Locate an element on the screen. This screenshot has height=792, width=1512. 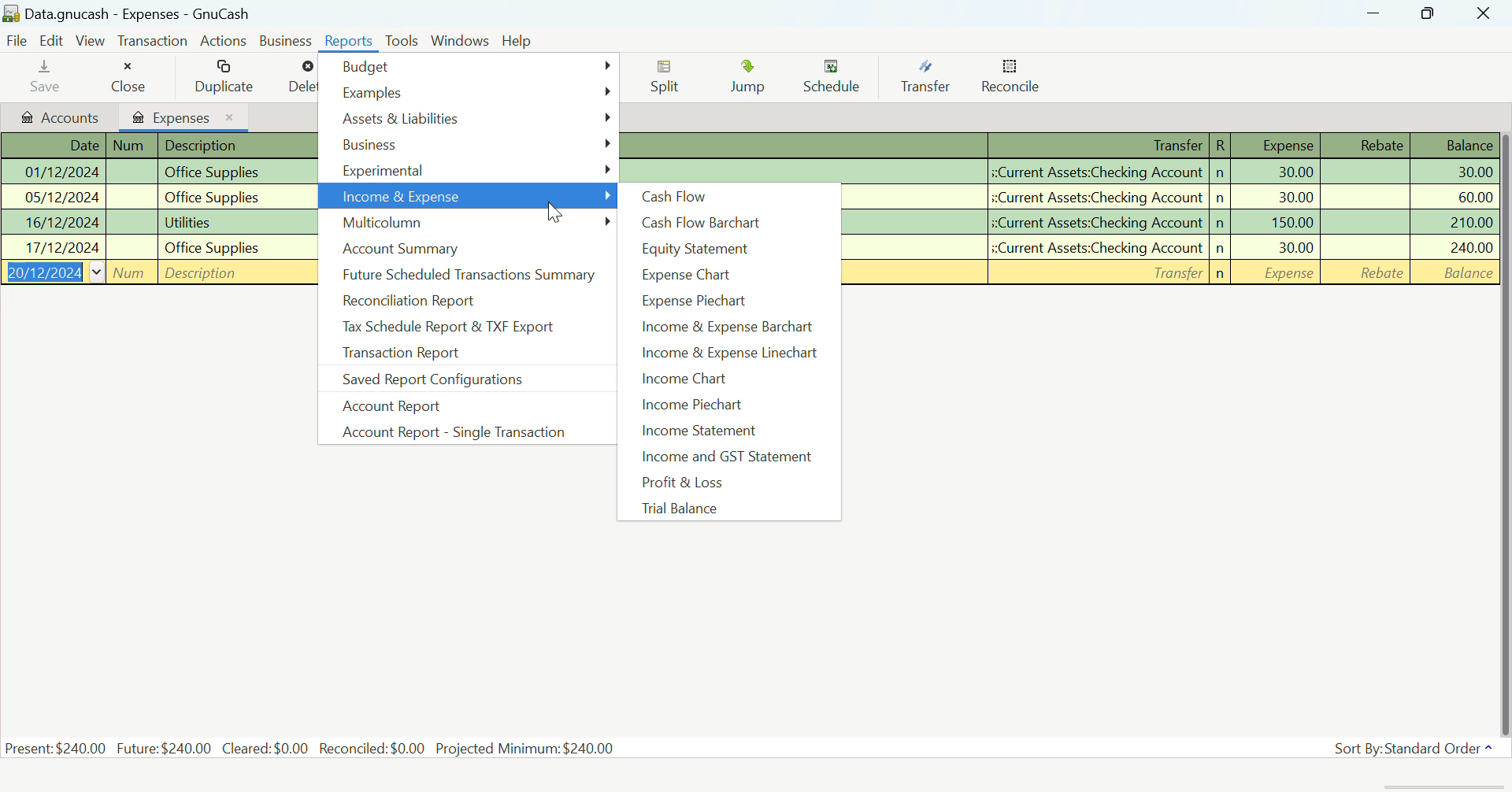
Data.gnucash - Expenses - GnuCash is located at coordinates (161, 13).